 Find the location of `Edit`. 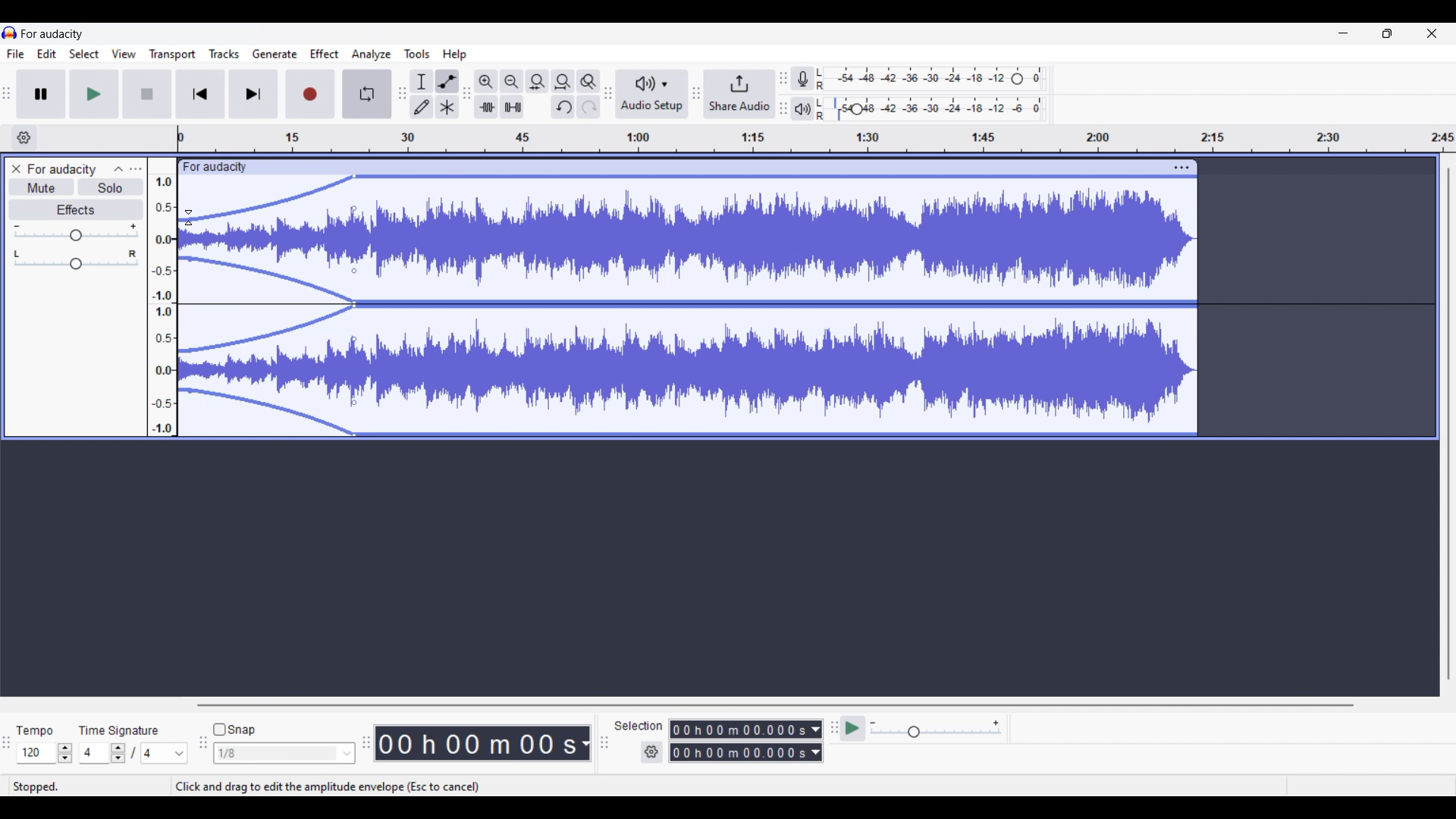

Edit is located at coordinates (47, 53).